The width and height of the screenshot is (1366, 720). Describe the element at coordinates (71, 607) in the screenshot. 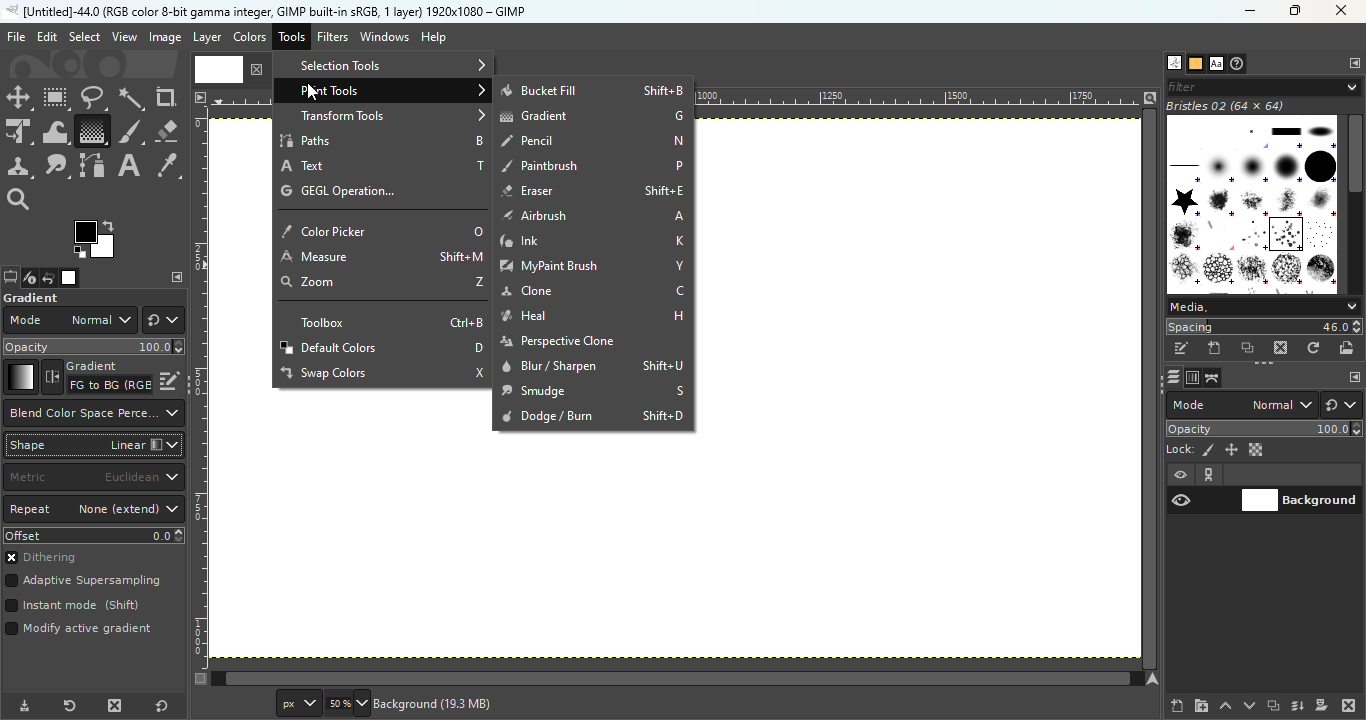

I see `Instant mode` at that location.